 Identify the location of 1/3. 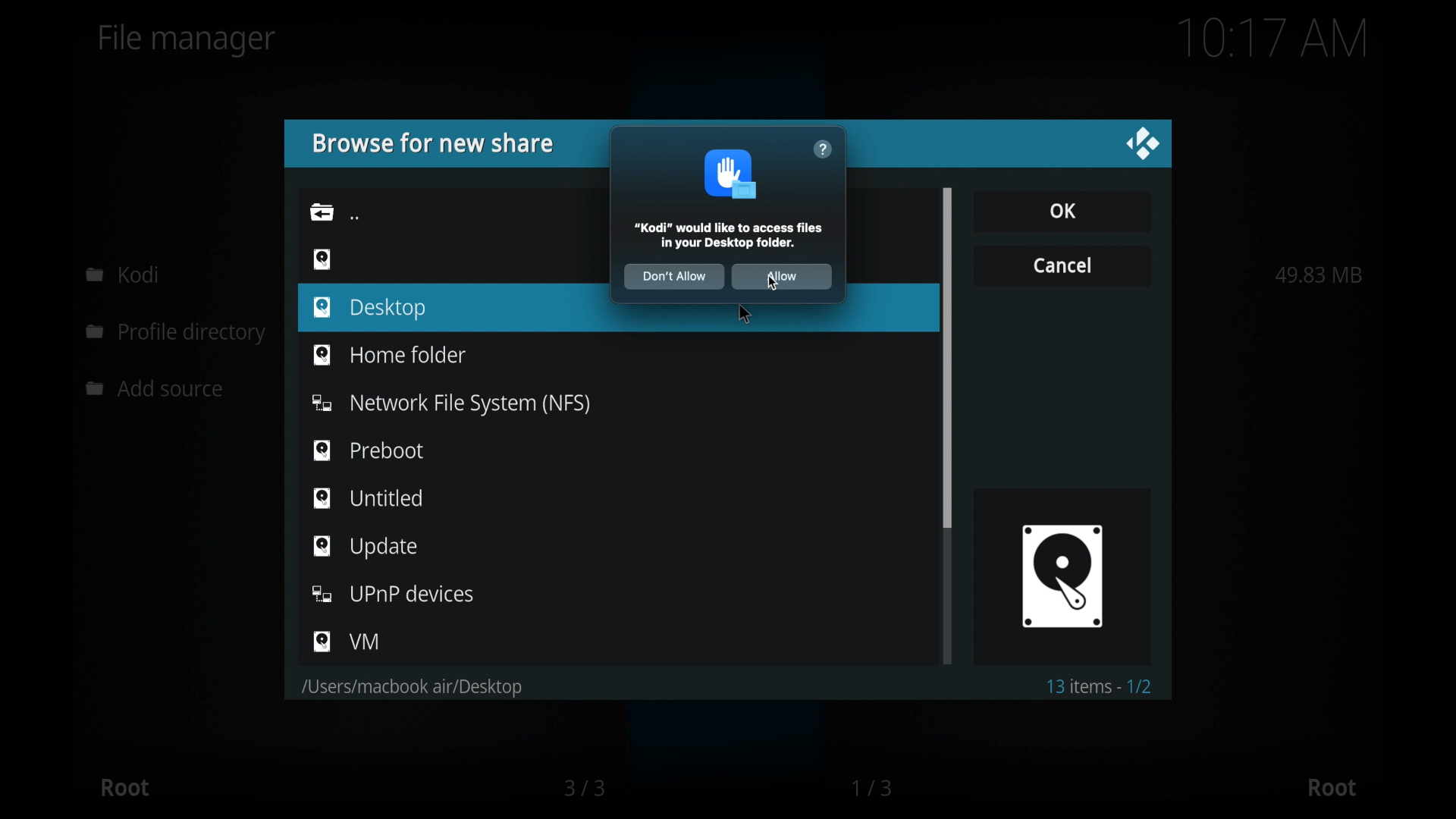
(874, 788).